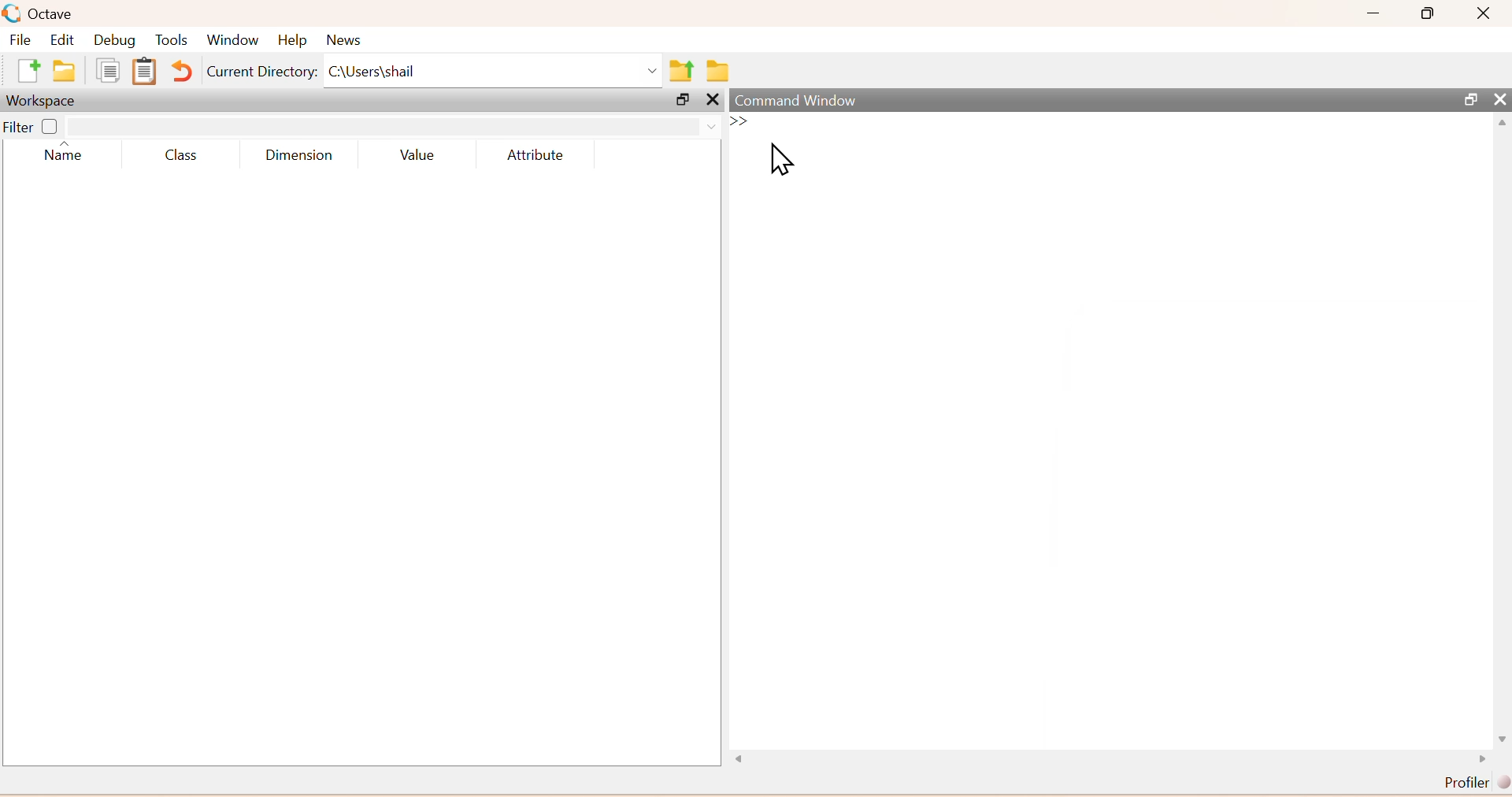  Describe the element at coordinates (144, 71) in the screenshot. I see `paste` at that location.